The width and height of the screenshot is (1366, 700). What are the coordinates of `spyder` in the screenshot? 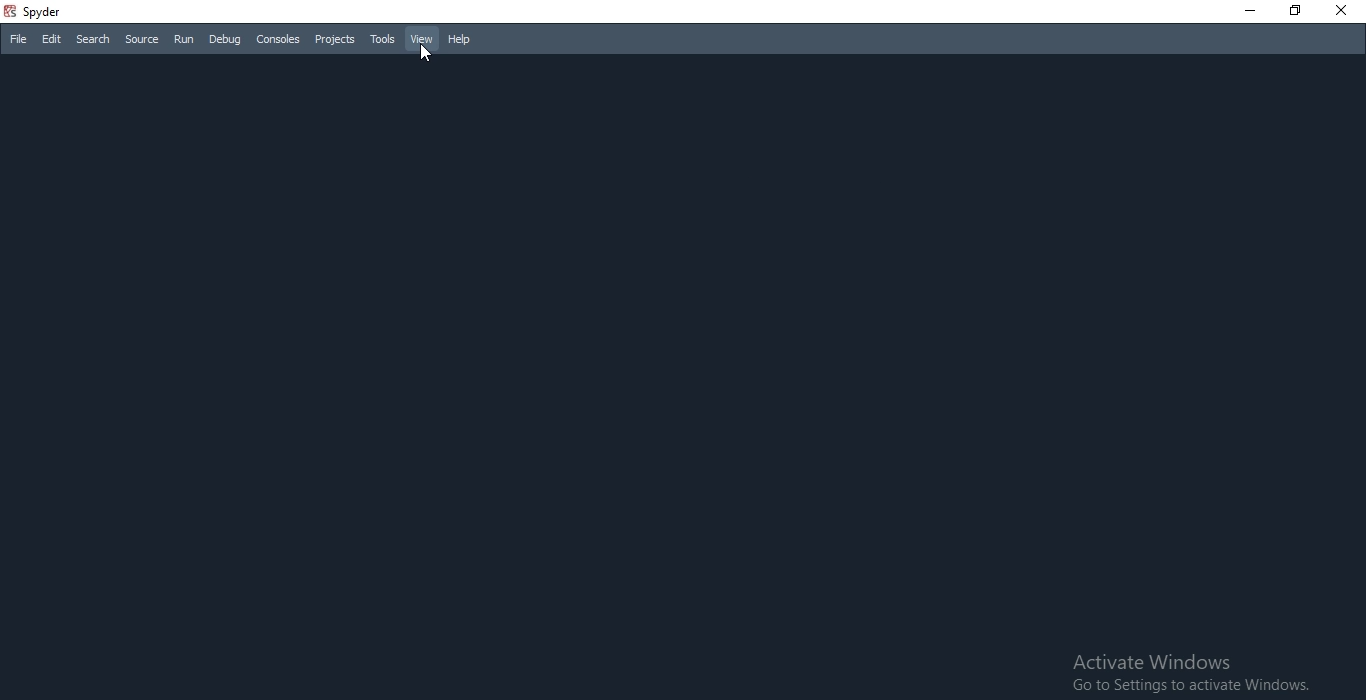 It's located at (47, 12).